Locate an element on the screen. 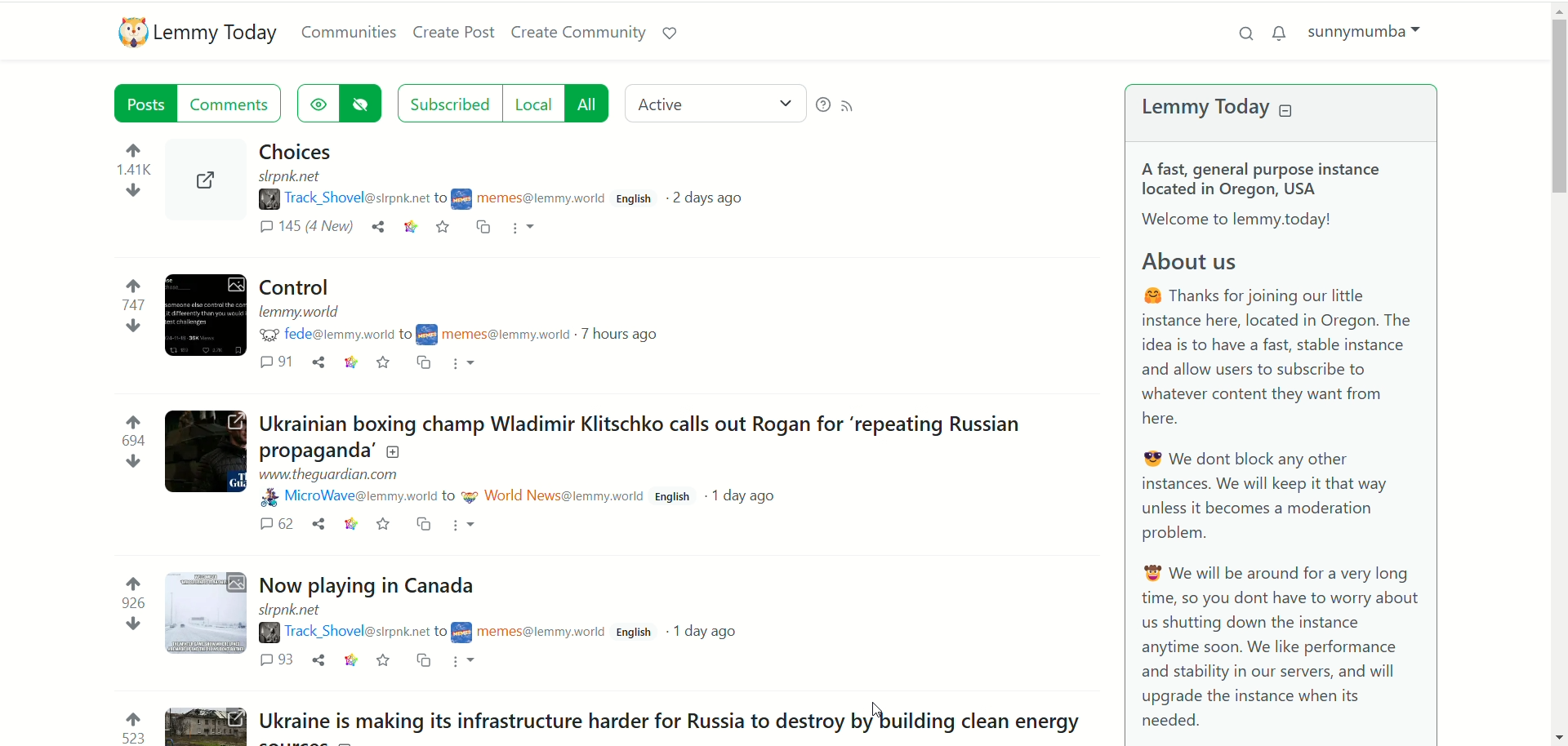 Image resolution: width=1568 pixels, height=746 pixels. comments is located at coordinates (281, 363).